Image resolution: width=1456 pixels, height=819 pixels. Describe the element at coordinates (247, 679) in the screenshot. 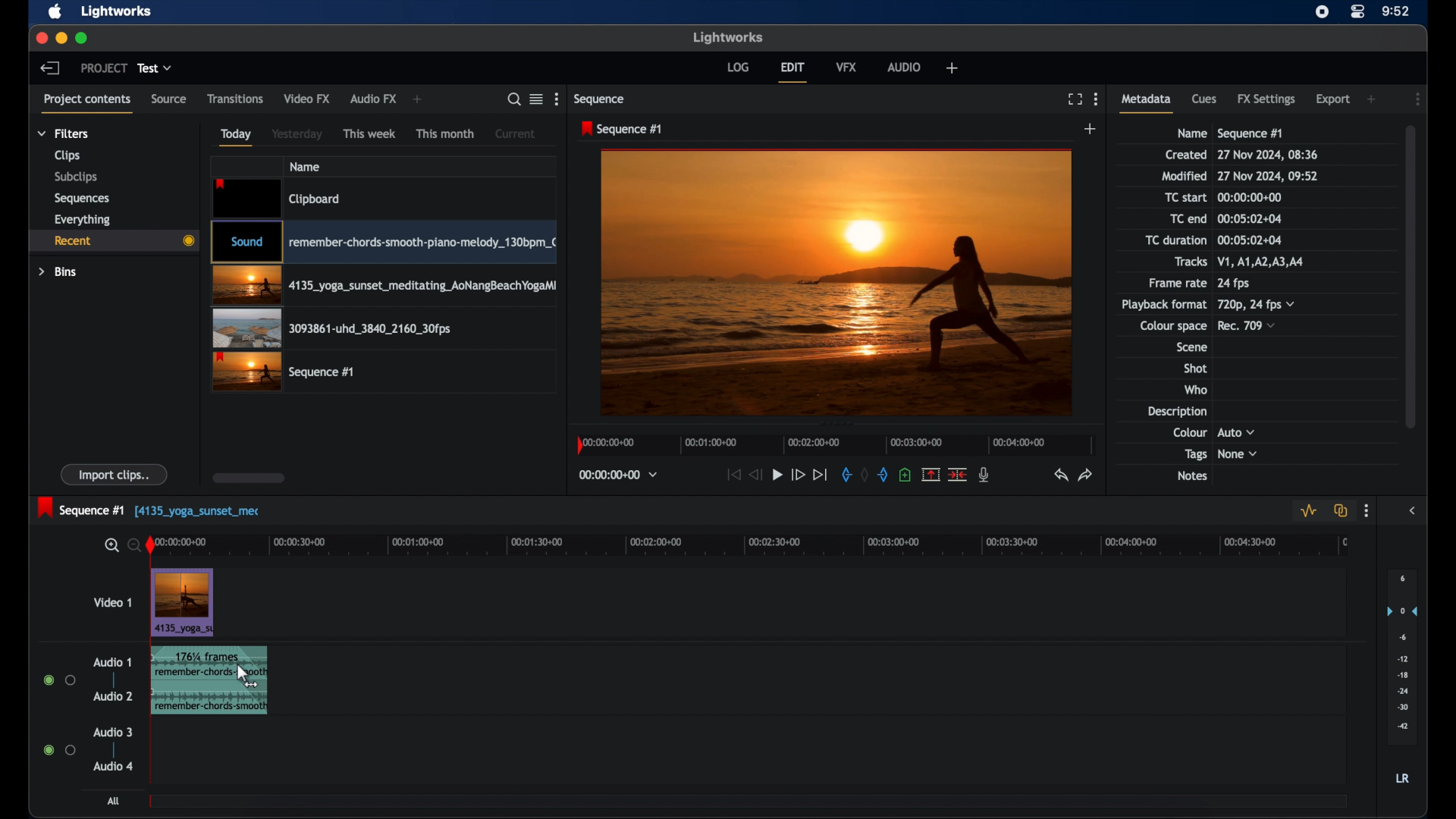

I see `cursor` at that location.